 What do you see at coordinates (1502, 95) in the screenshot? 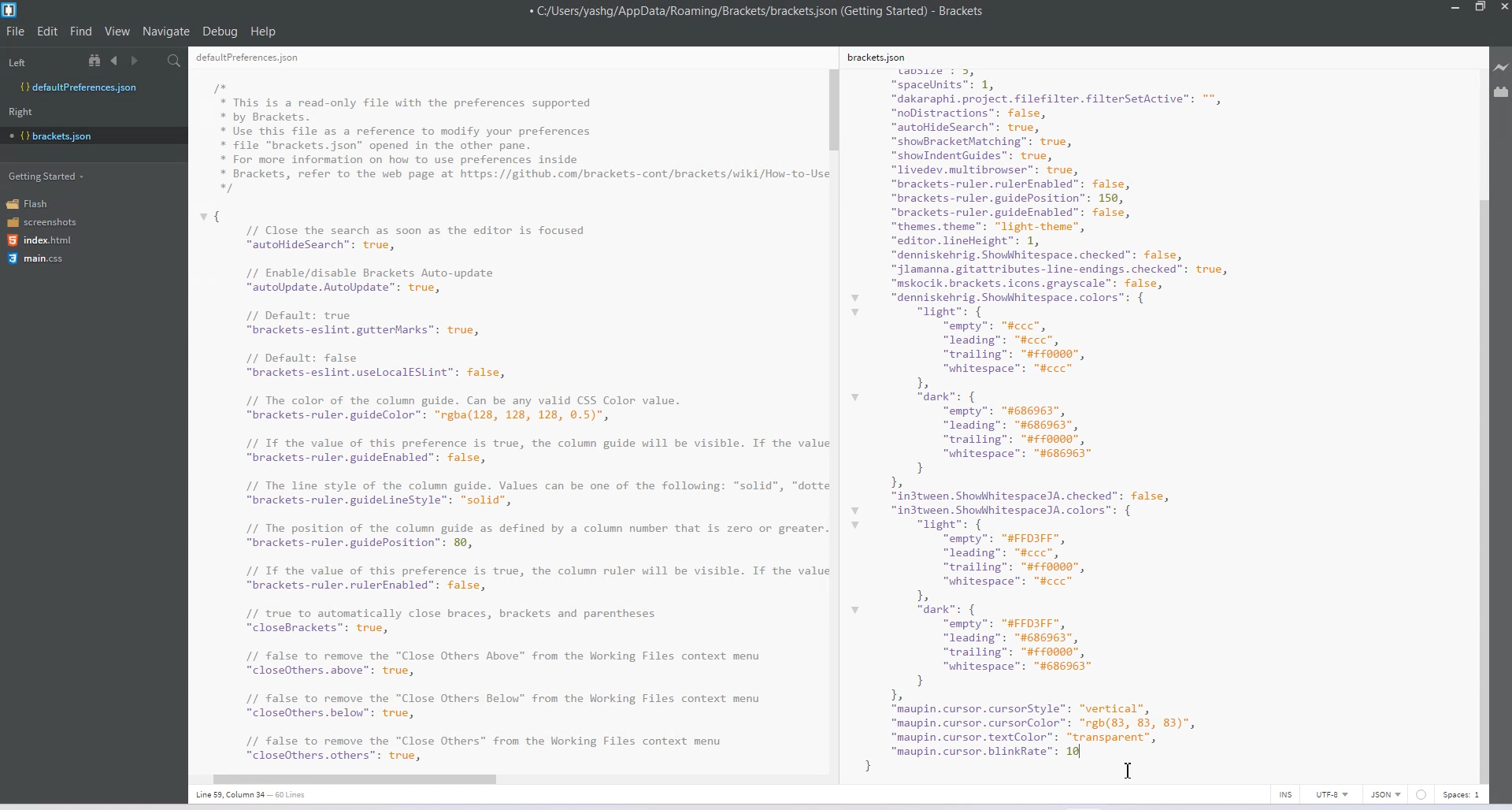
I see `Extension Manager` at bounding box center [1502, 95].